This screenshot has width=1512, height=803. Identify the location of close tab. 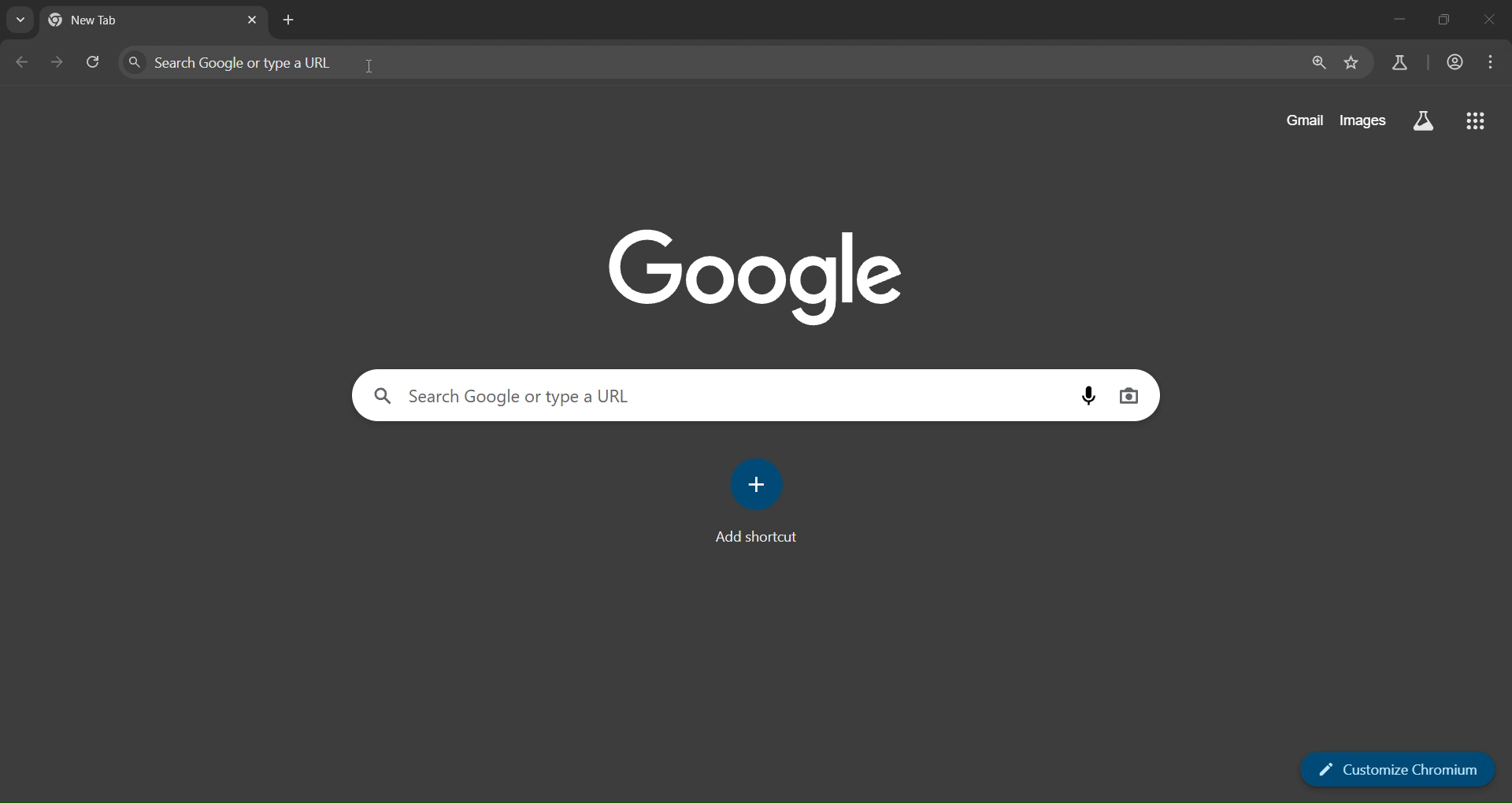
(252, 21).